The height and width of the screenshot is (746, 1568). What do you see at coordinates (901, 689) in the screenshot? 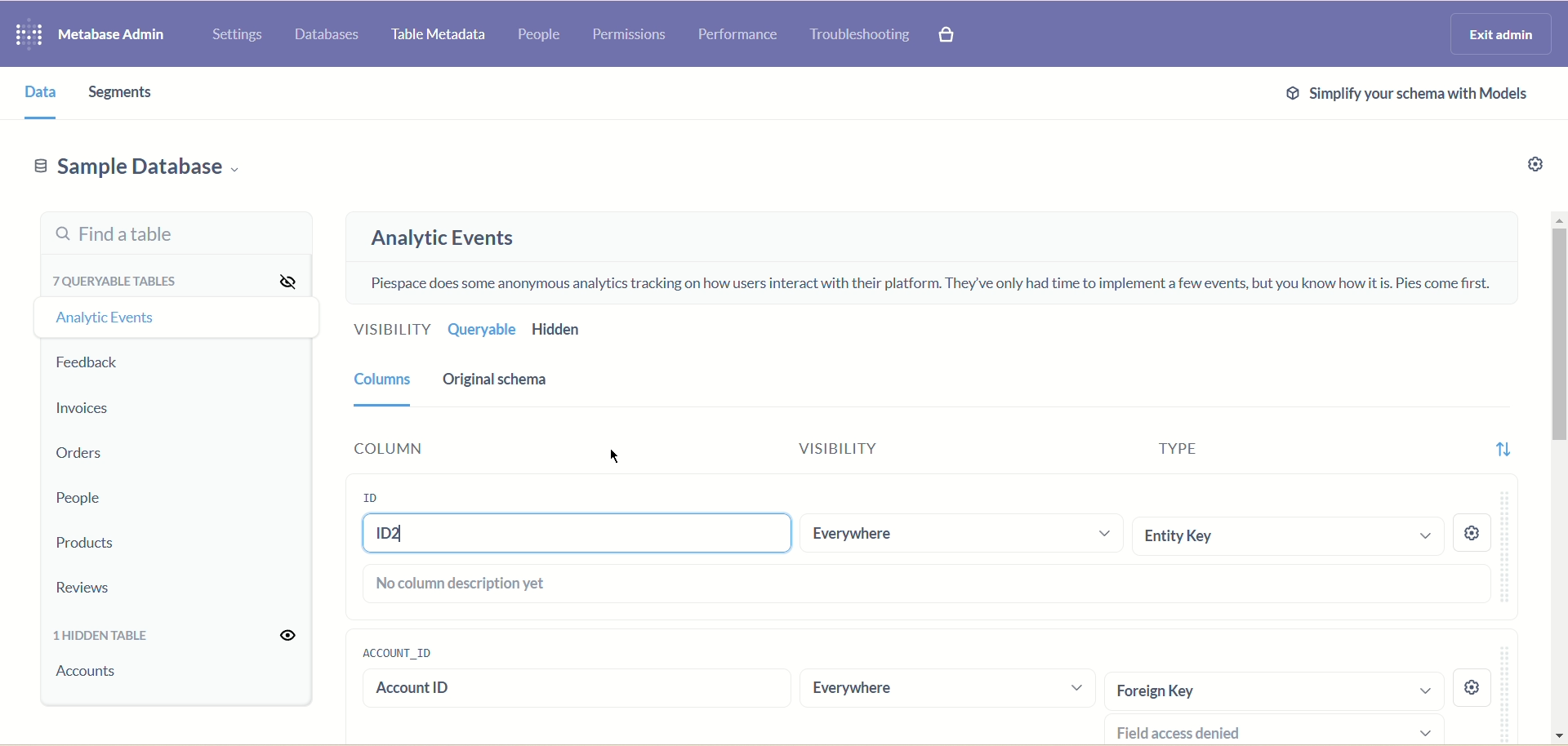
I see `Everywhere` at bounding box center [901, 689].